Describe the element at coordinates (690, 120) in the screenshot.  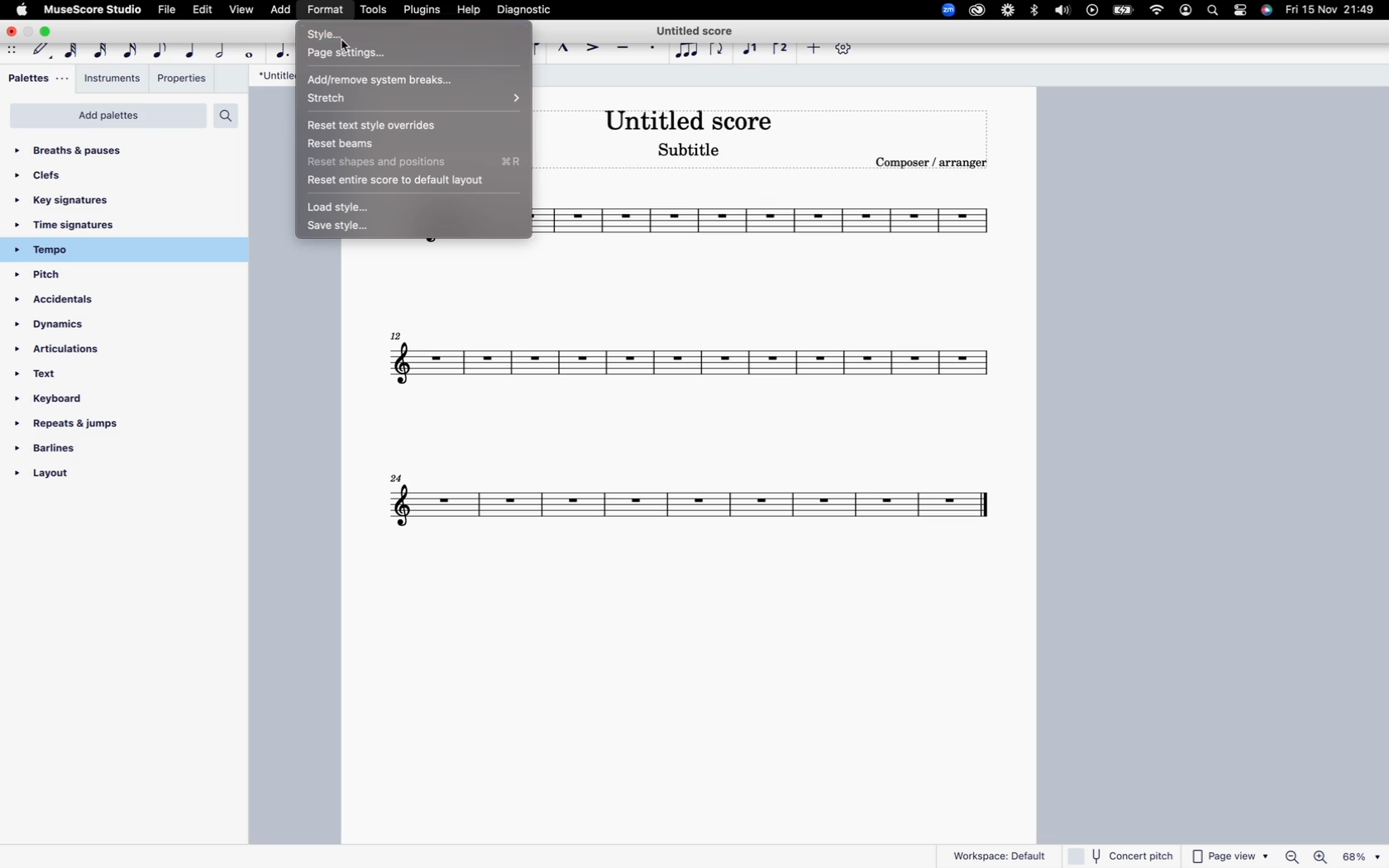
I see `score title` at that location.